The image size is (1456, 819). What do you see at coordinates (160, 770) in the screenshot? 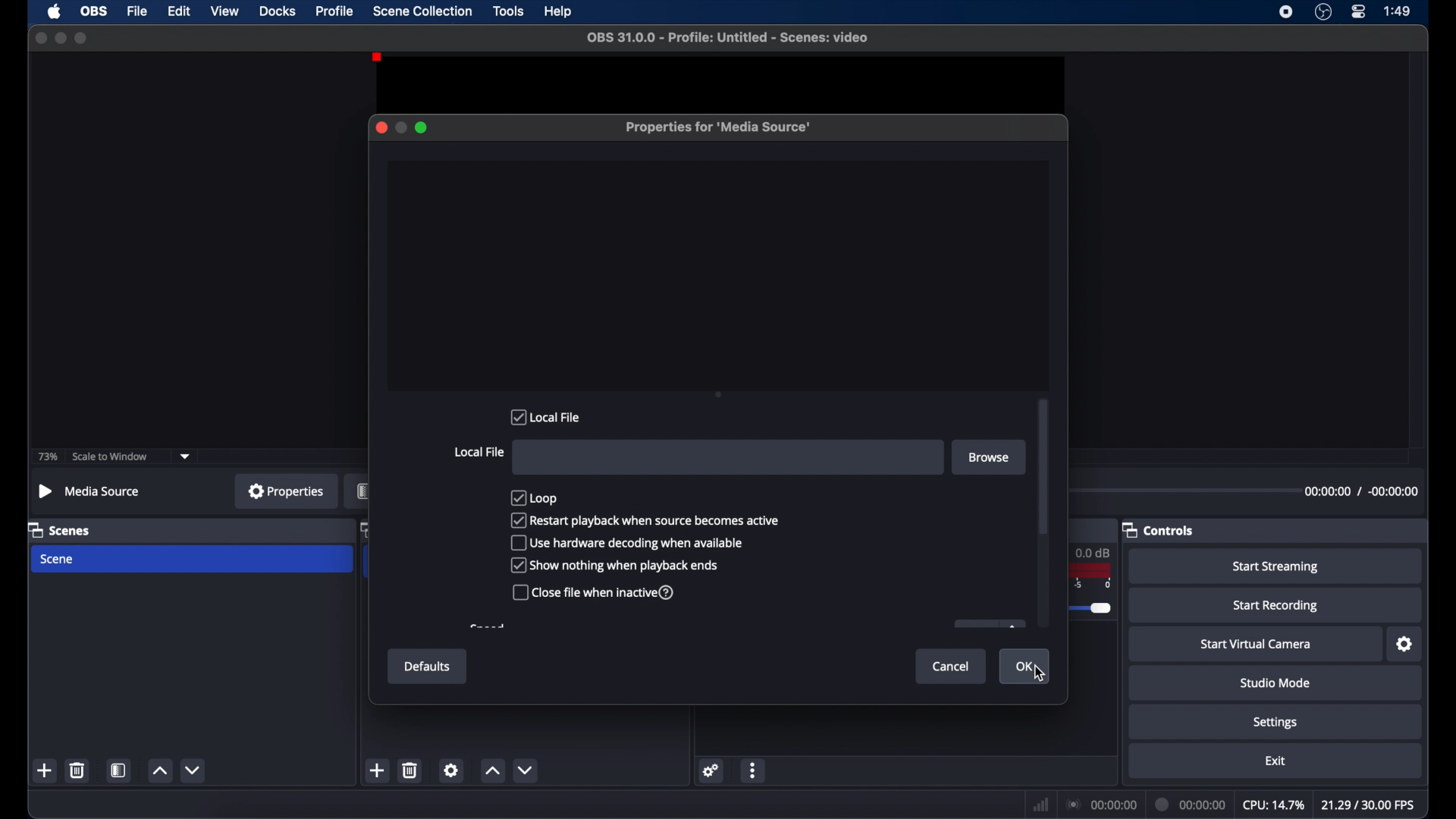
I see `increment` at bounding box center [160, 770].